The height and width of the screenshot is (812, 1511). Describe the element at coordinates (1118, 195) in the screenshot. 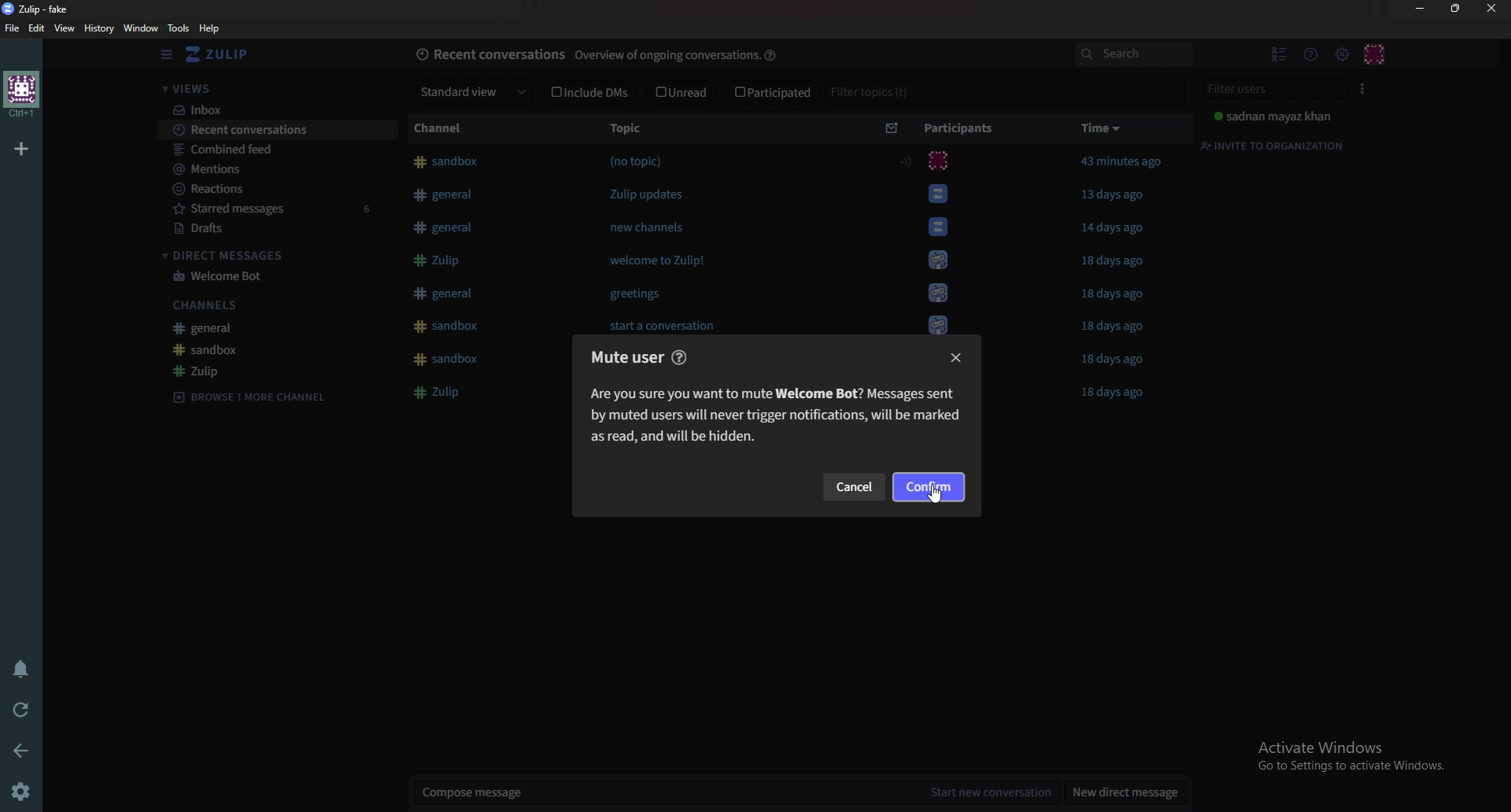

I see `13 days ago` at that location.